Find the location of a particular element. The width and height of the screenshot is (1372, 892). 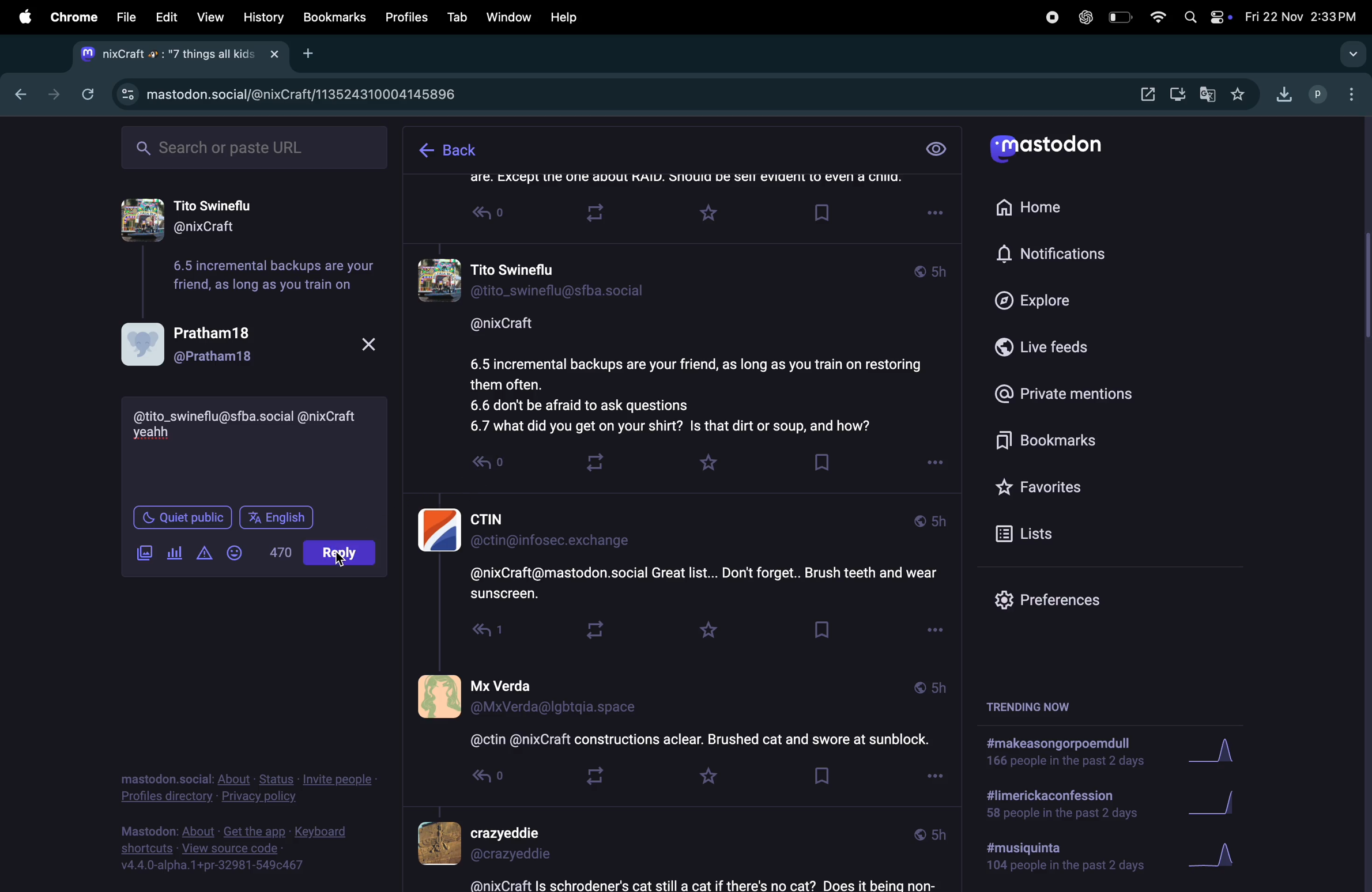

notifications is located at coordinates (1056, 255).